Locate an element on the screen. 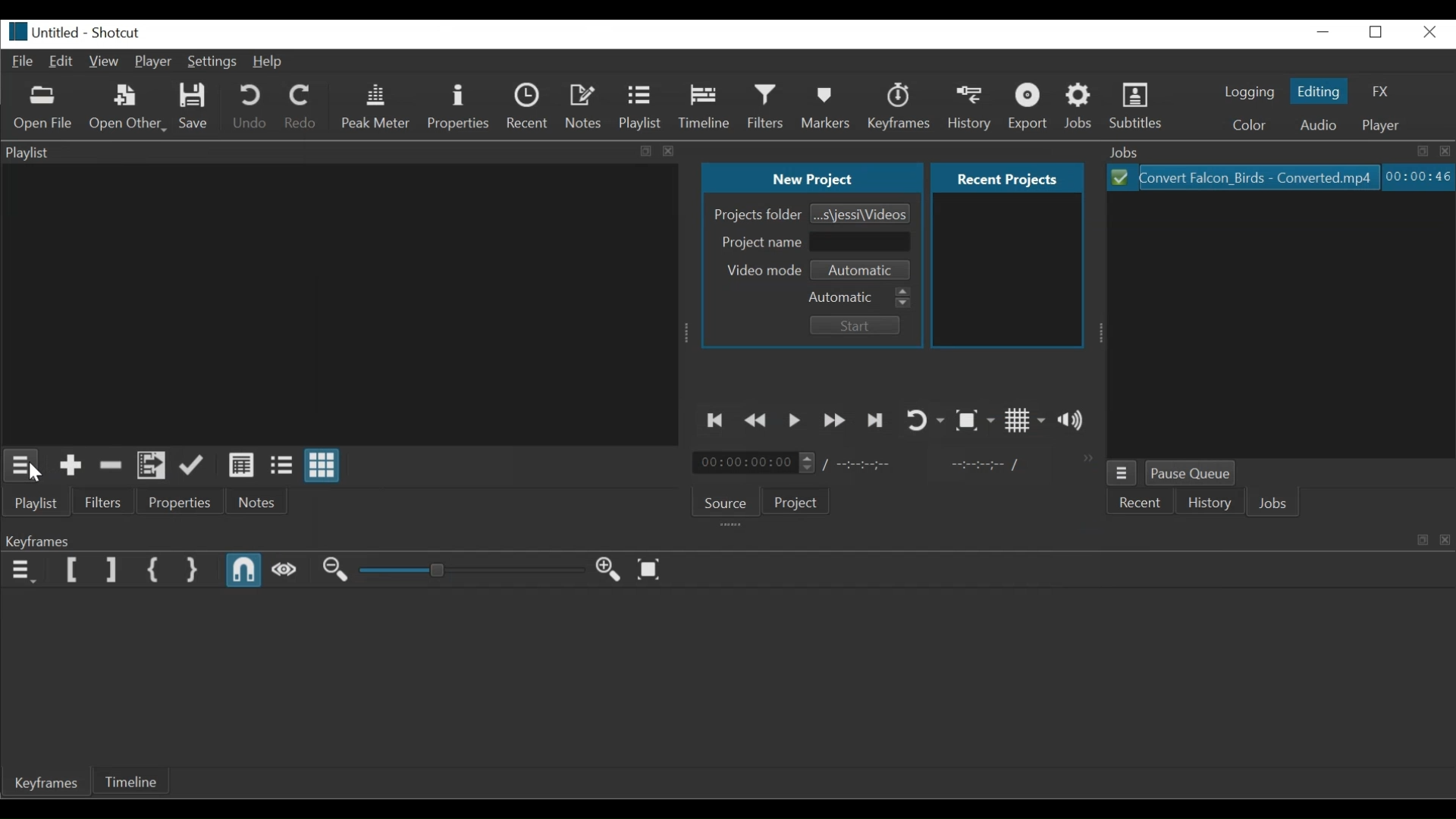 The width and height of the screenshot is (1456, 819). View as details is located at coordinates (244, 464).